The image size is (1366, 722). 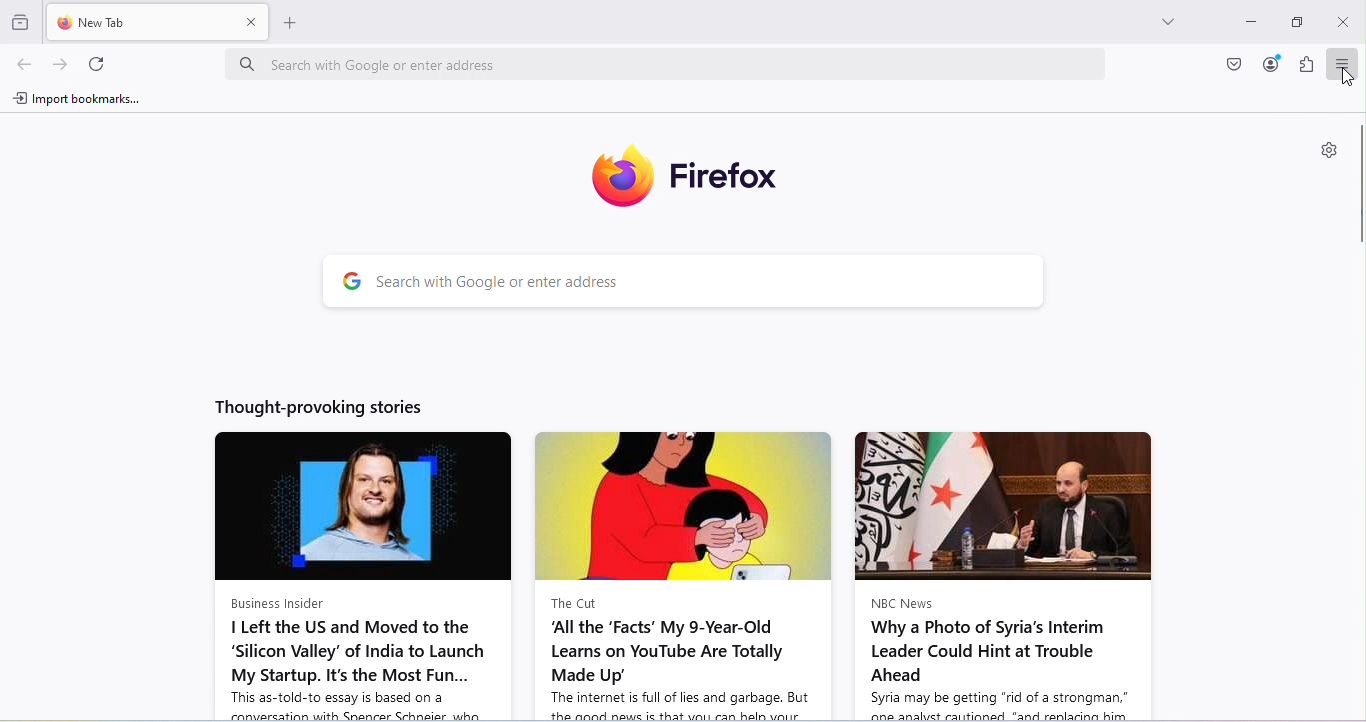 What do you see at coordinates (1351, 81) in the screenshot?
I see `cursor` at bounding box center [1351, 81].